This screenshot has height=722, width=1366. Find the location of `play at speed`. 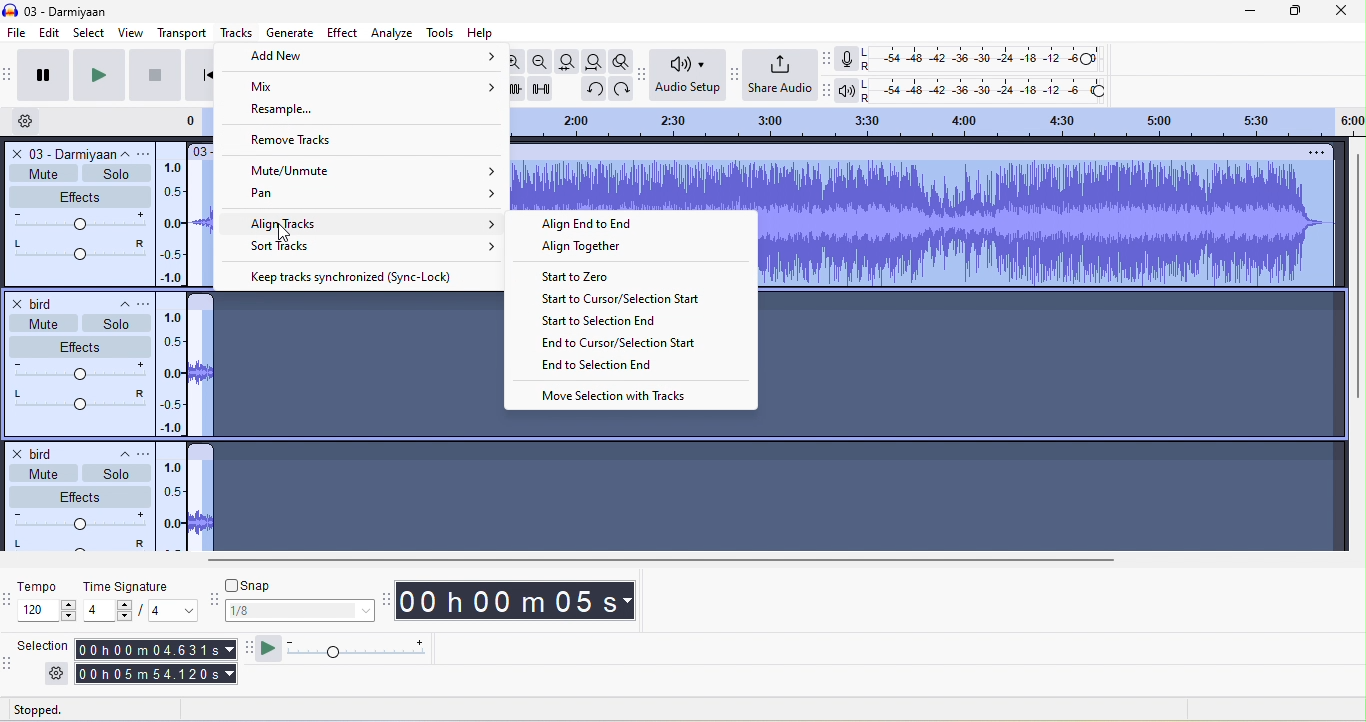

play at speed is located at coordinates (365, 649).